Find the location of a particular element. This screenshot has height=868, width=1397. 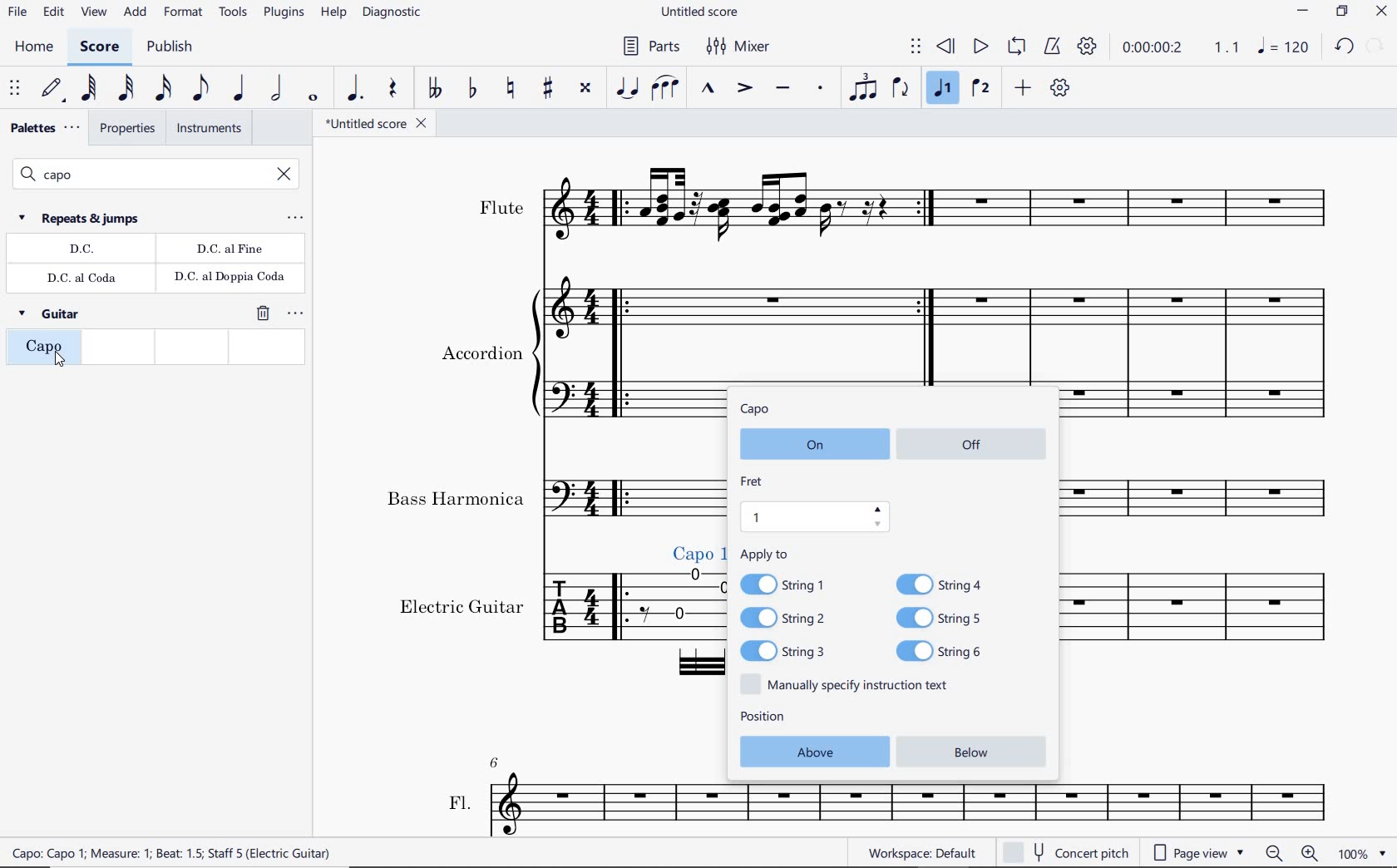

plugins is located at coordinates (282, 13).